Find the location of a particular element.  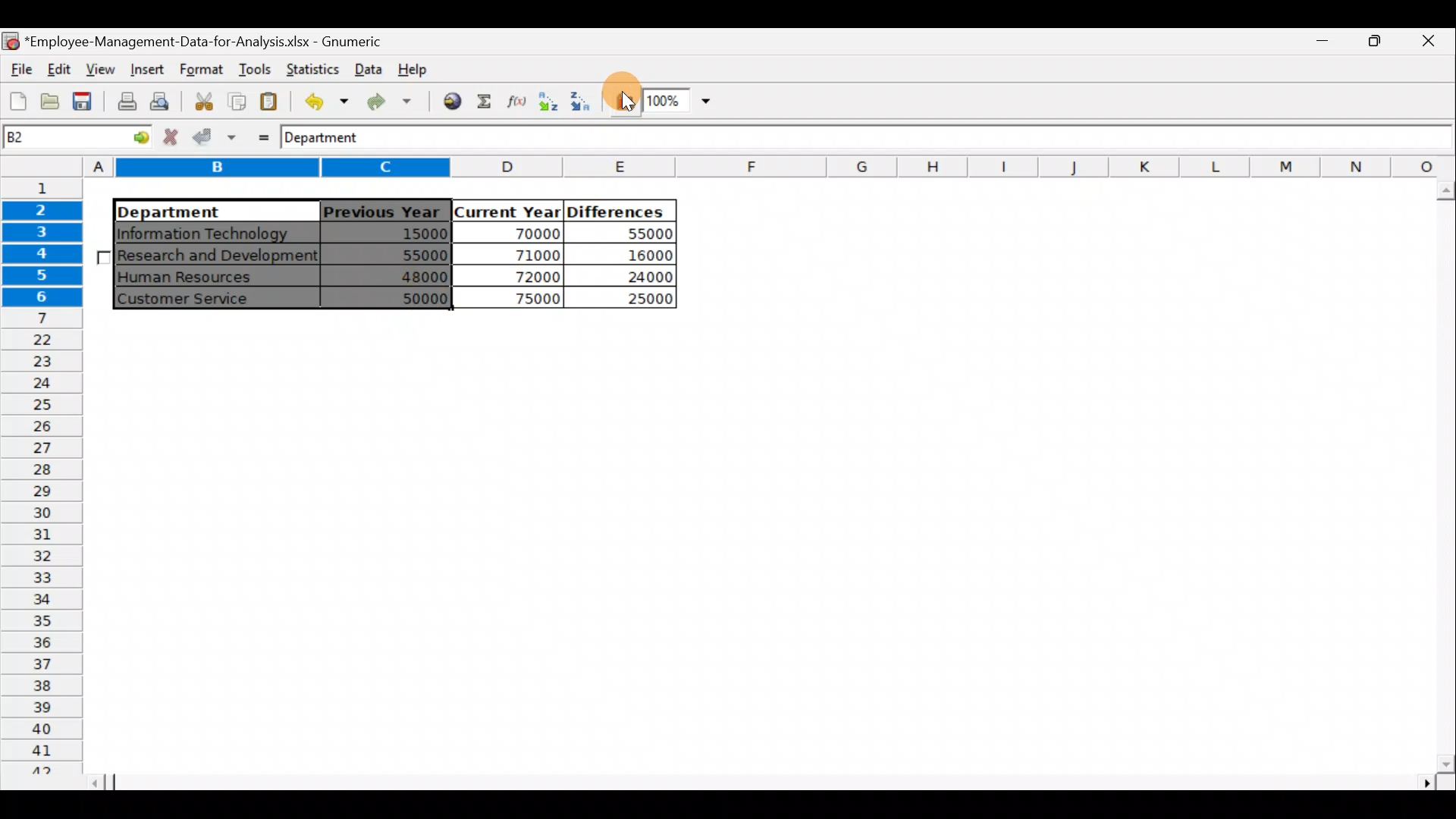

Paste the clipboard is located at coordinates (272, 102).